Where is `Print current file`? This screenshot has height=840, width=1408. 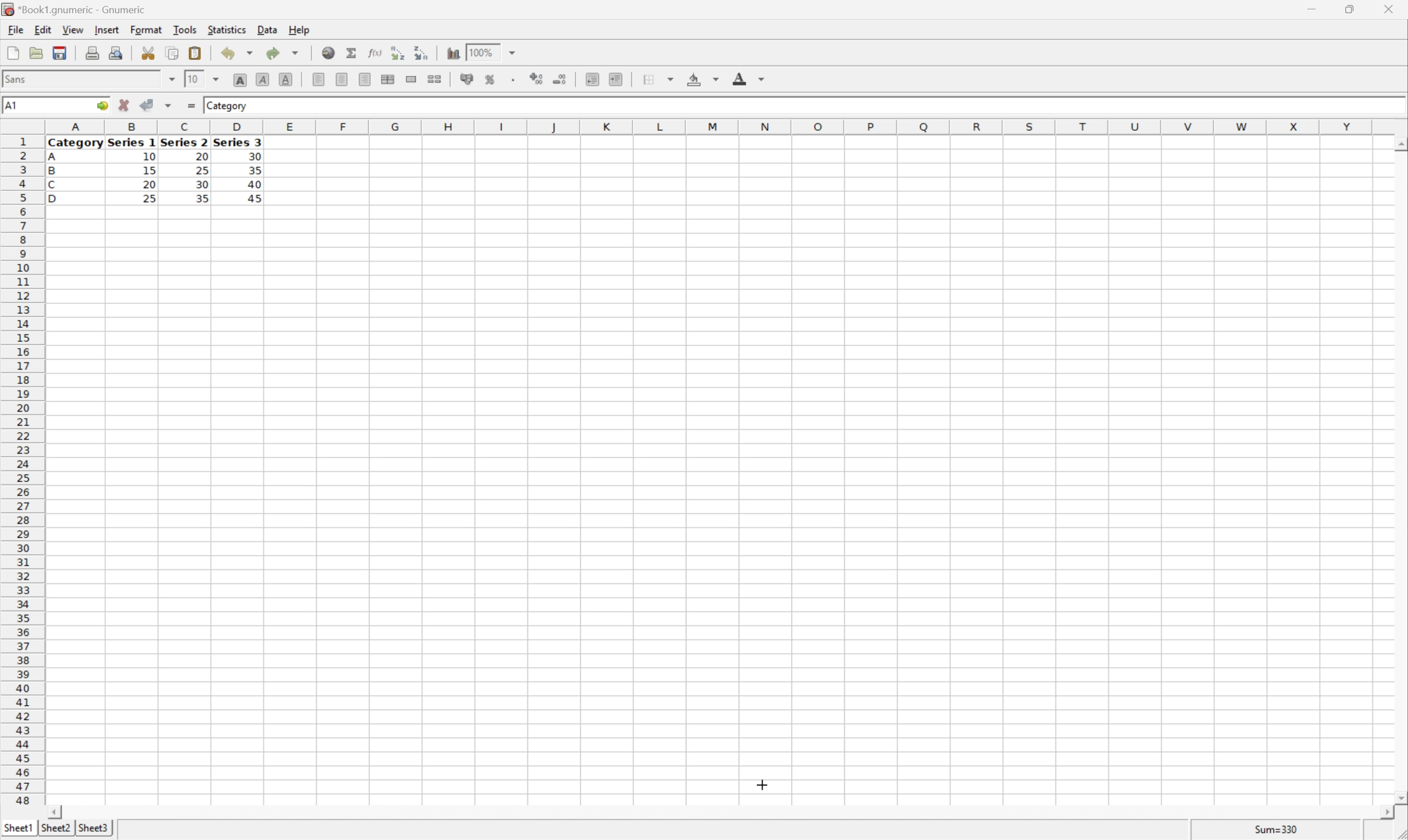 Print current file is located at coordinates (92, 54).